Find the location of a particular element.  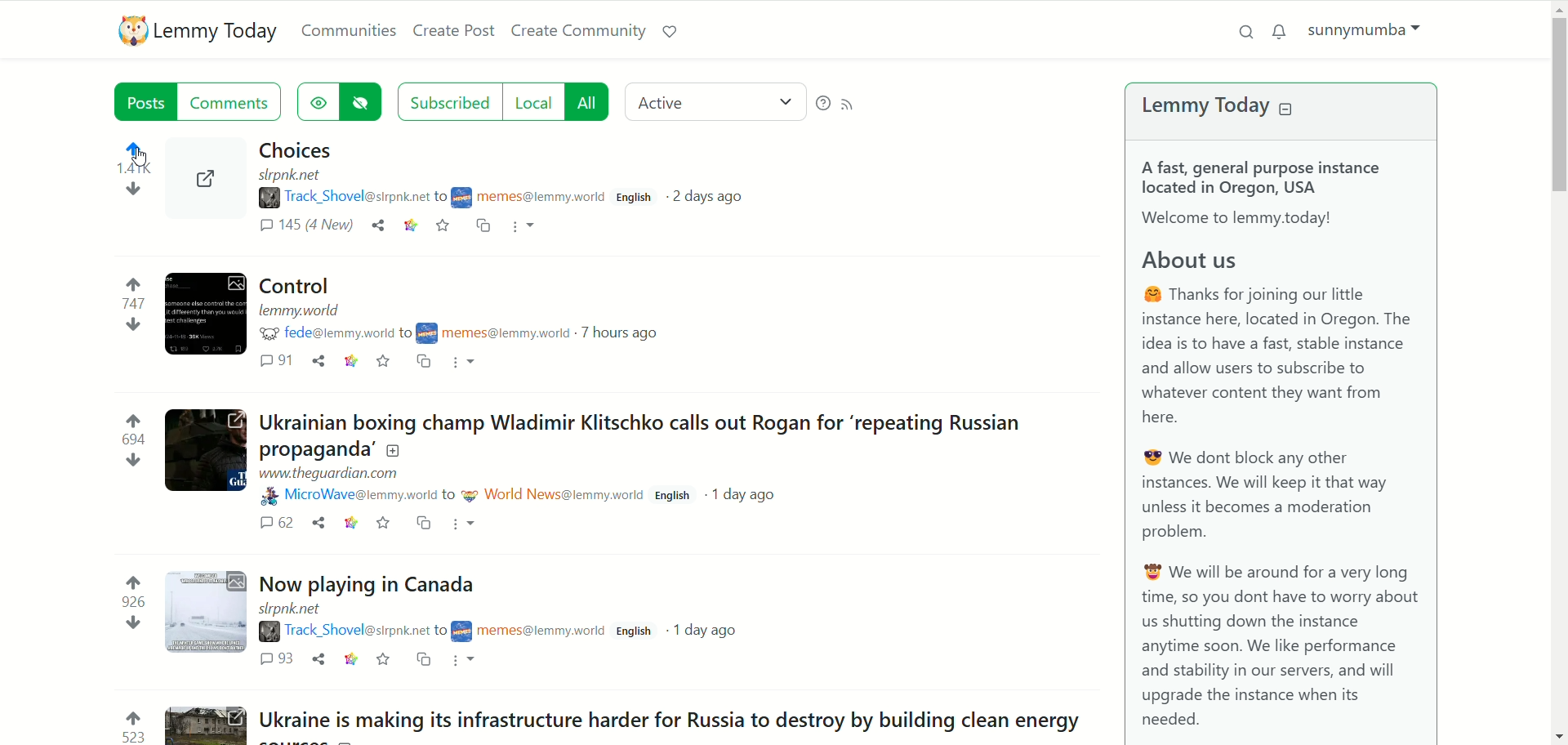

URL is located at coordinates (298, 176).